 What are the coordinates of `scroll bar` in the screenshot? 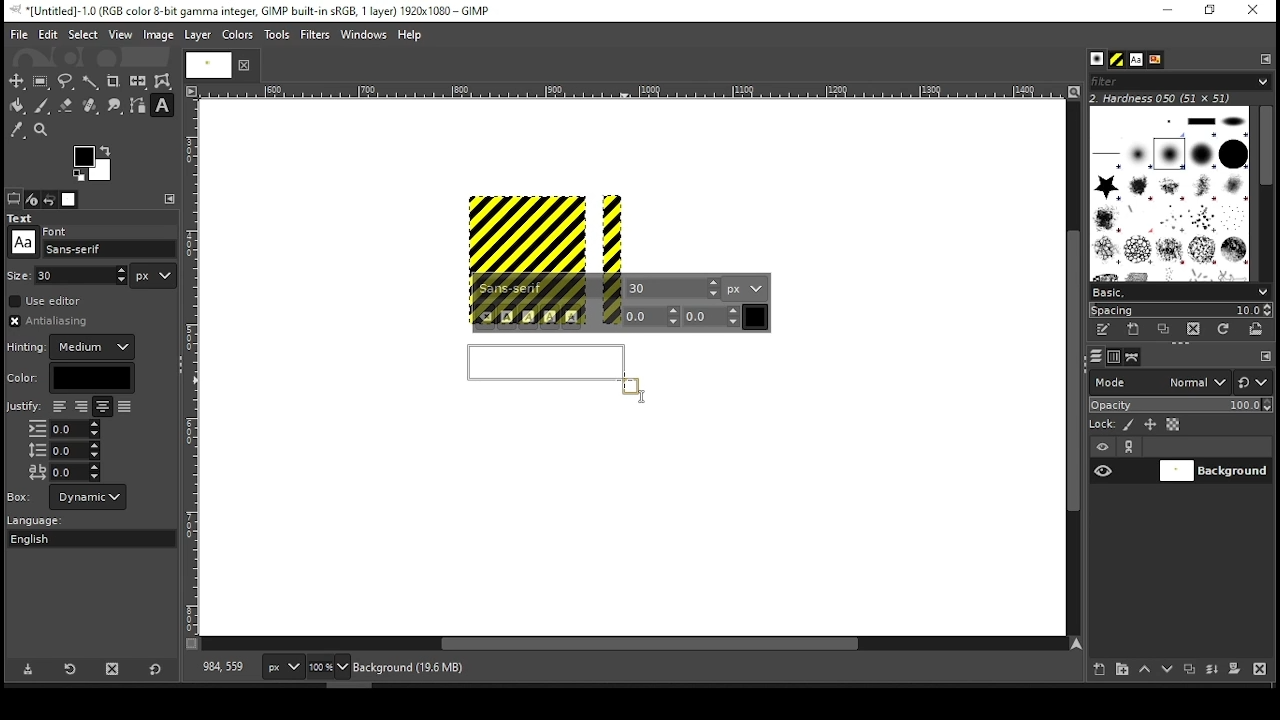 It's located at (1265, 192).